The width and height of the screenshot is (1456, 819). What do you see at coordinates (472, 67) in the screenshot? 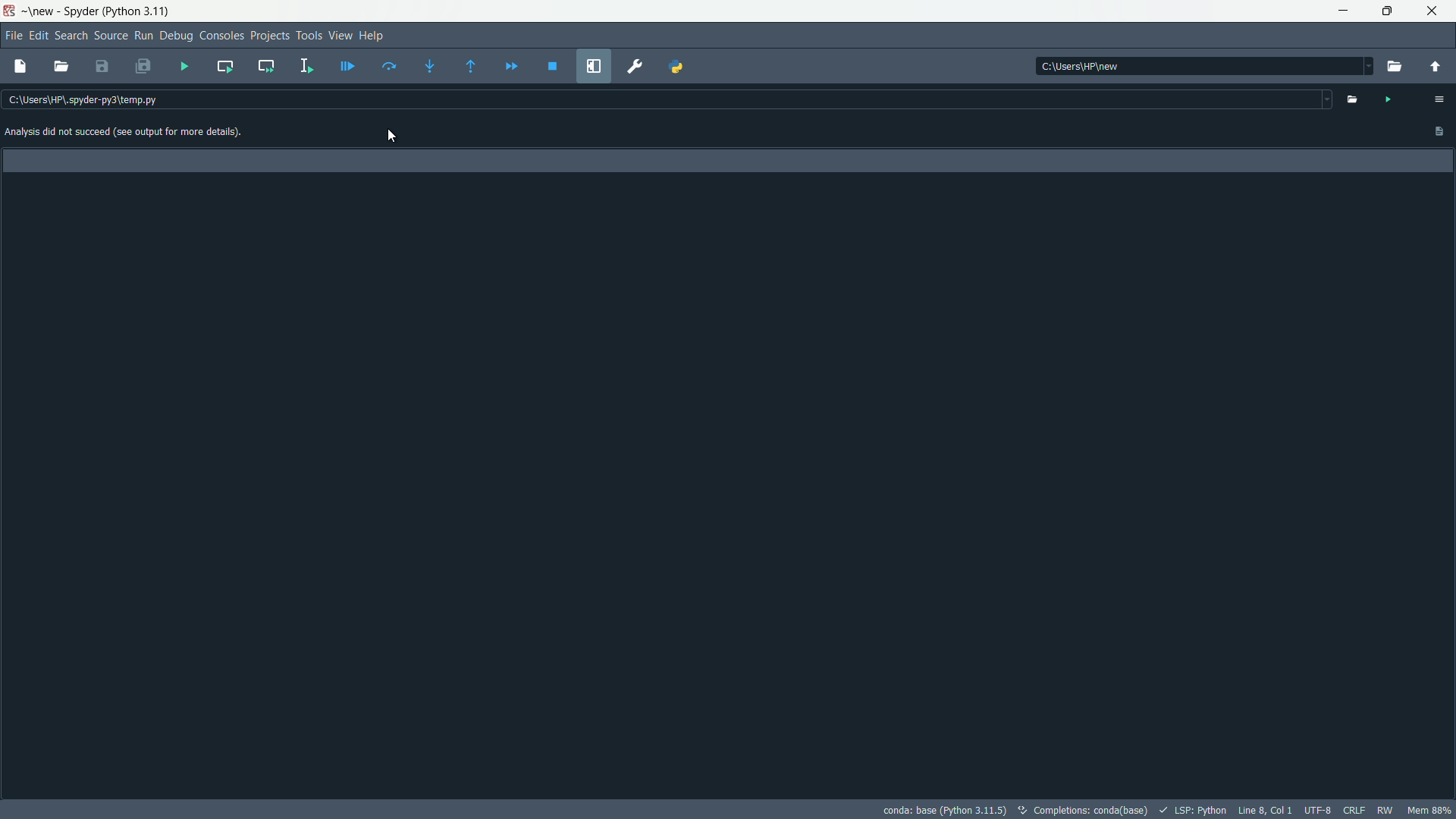
I see `continue execution until next function` at bounding box center [472, 67].